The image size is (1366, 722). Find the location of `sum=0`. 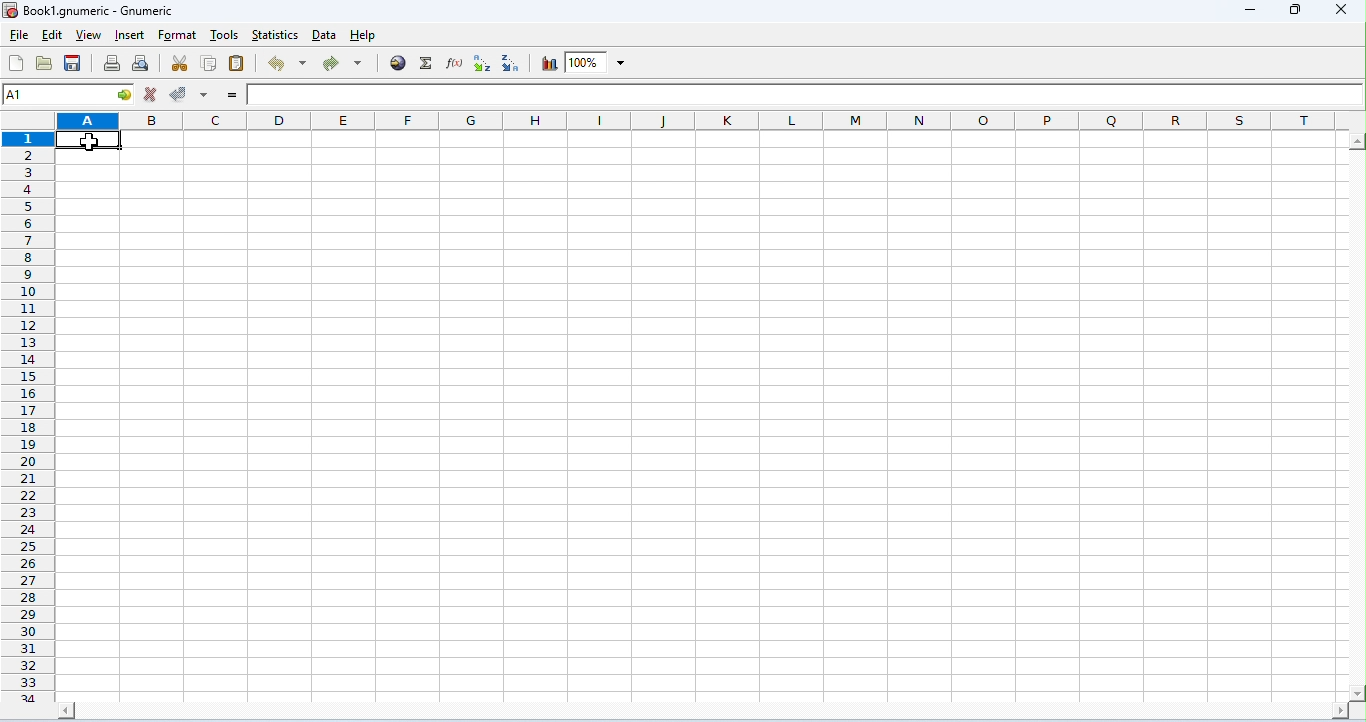

sum=0 is located at coordinates (1209, 708).